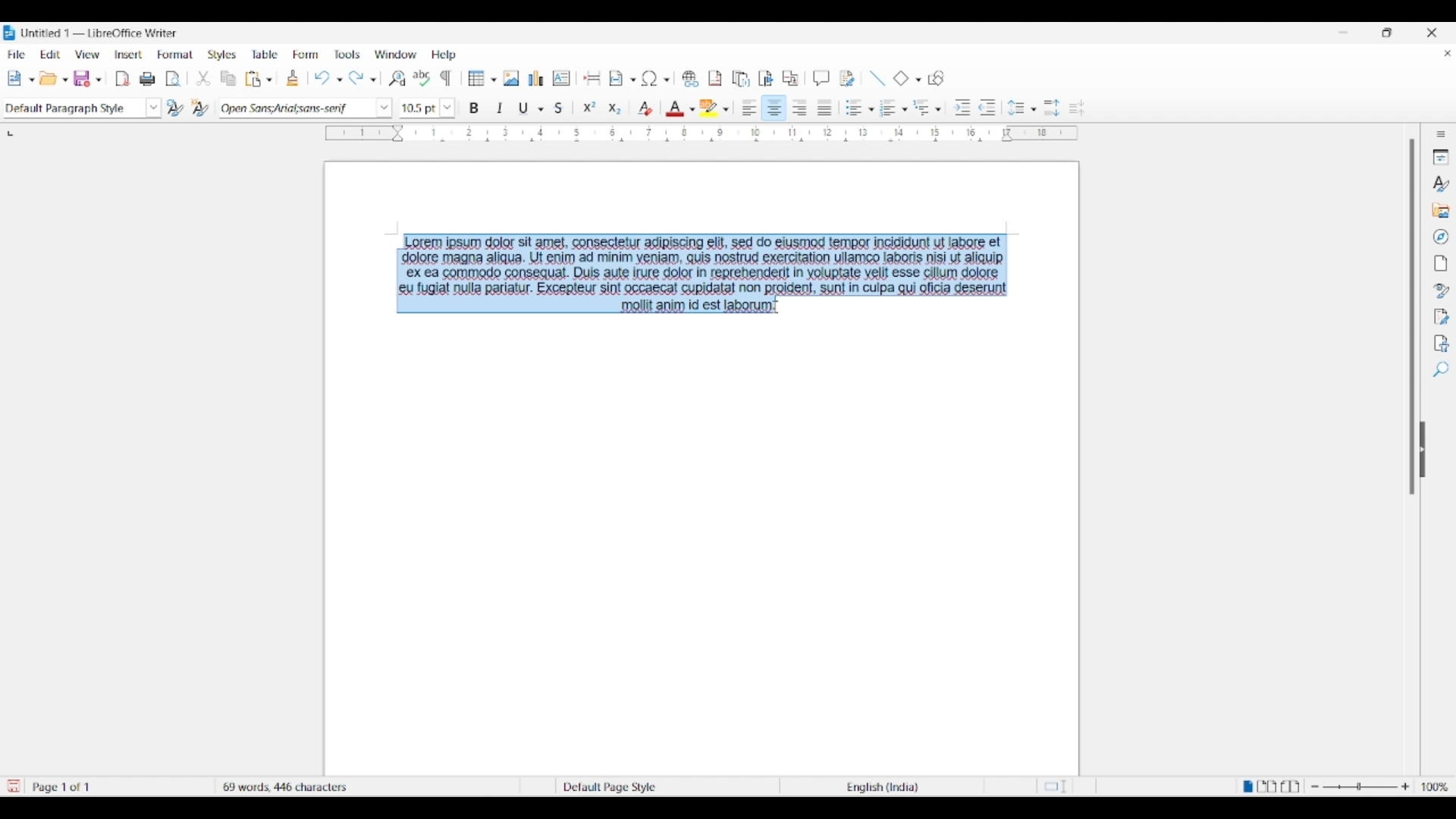  Describe the element at coordinates (419, 108) in the screenshot. I see `Manually change font size` at that location.